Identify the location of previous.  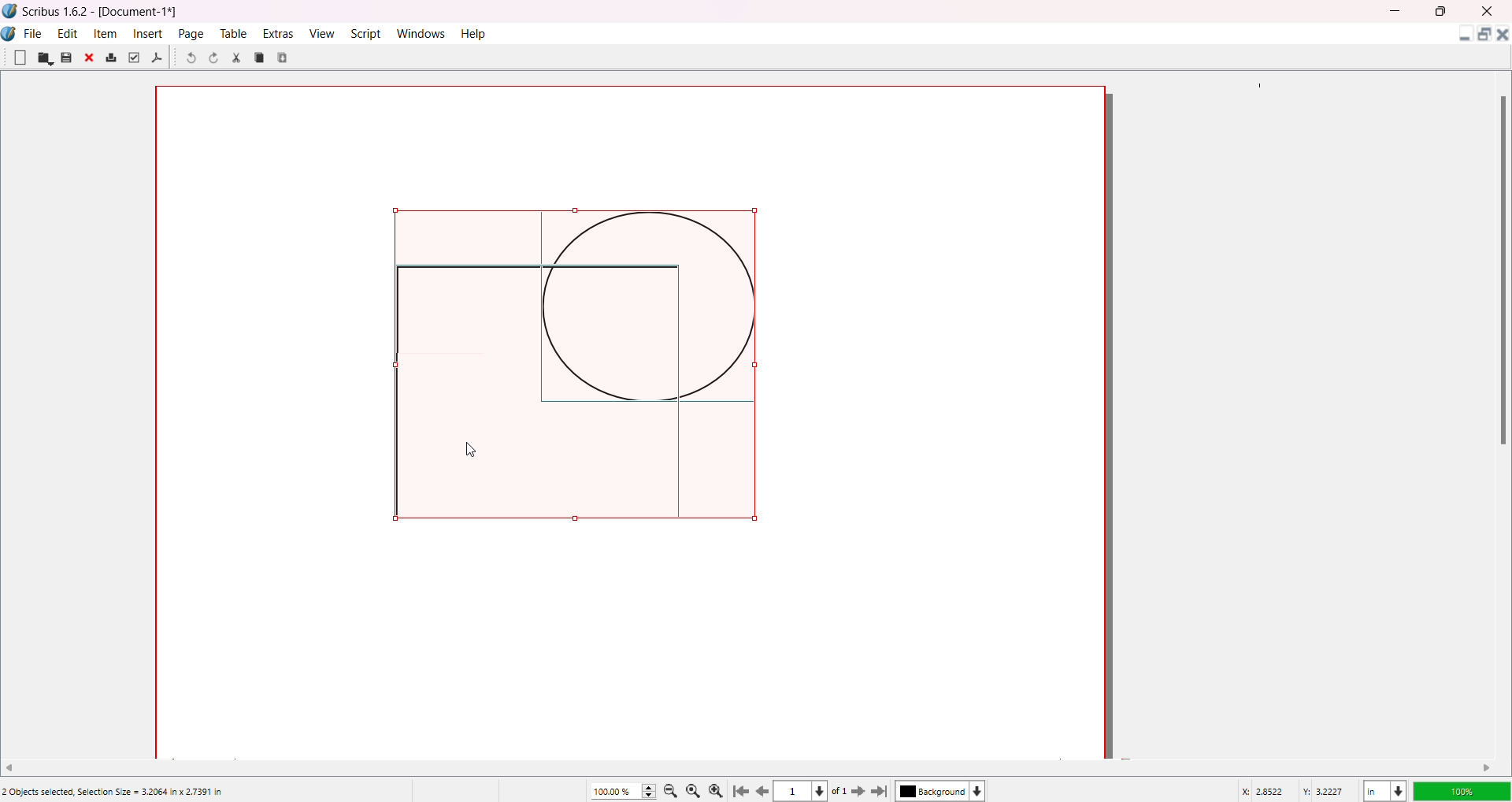
(765, 793).